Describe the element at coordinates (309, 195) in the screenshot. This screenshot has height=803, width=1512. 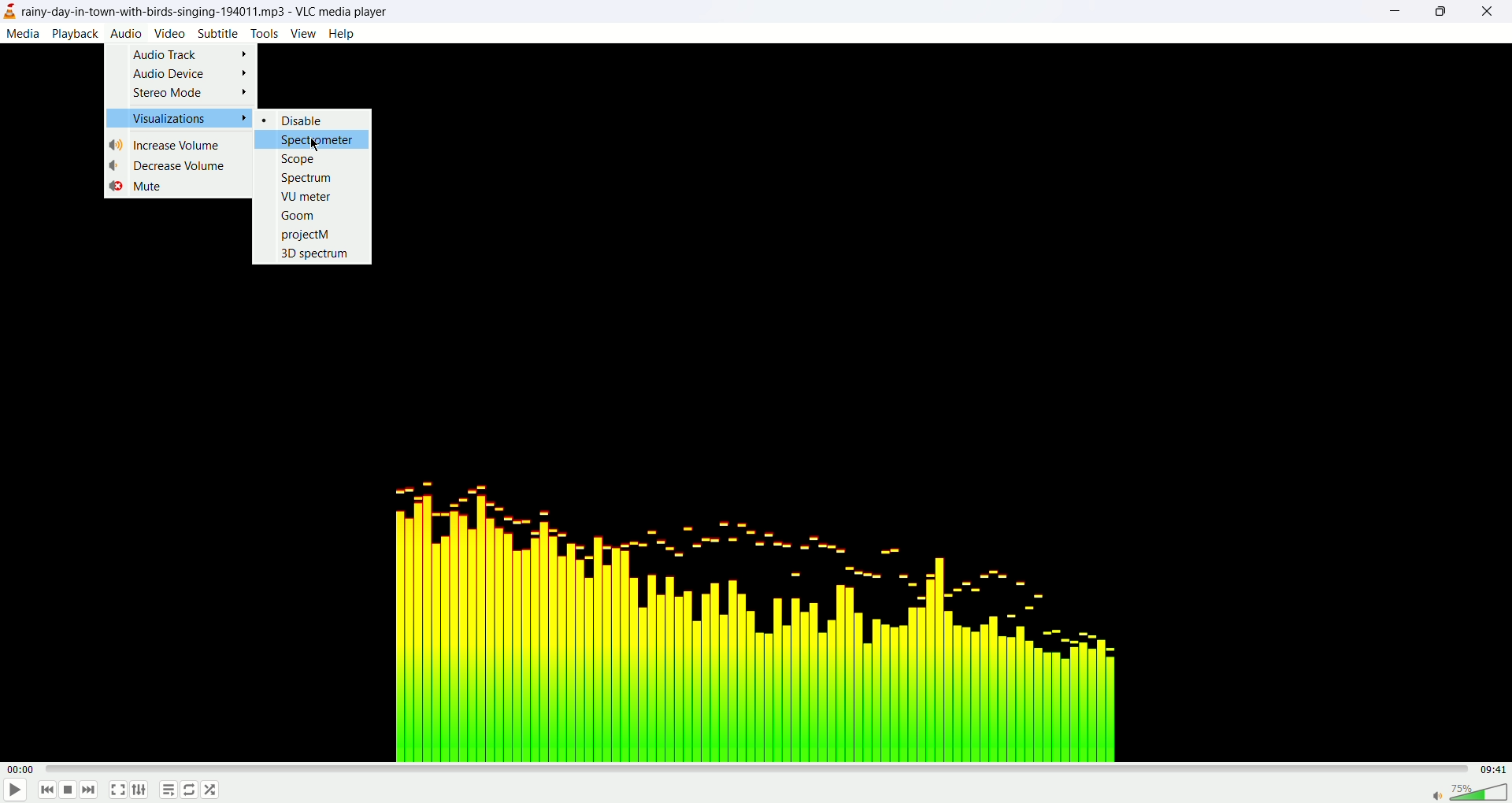
I see `VU meter` at that location.